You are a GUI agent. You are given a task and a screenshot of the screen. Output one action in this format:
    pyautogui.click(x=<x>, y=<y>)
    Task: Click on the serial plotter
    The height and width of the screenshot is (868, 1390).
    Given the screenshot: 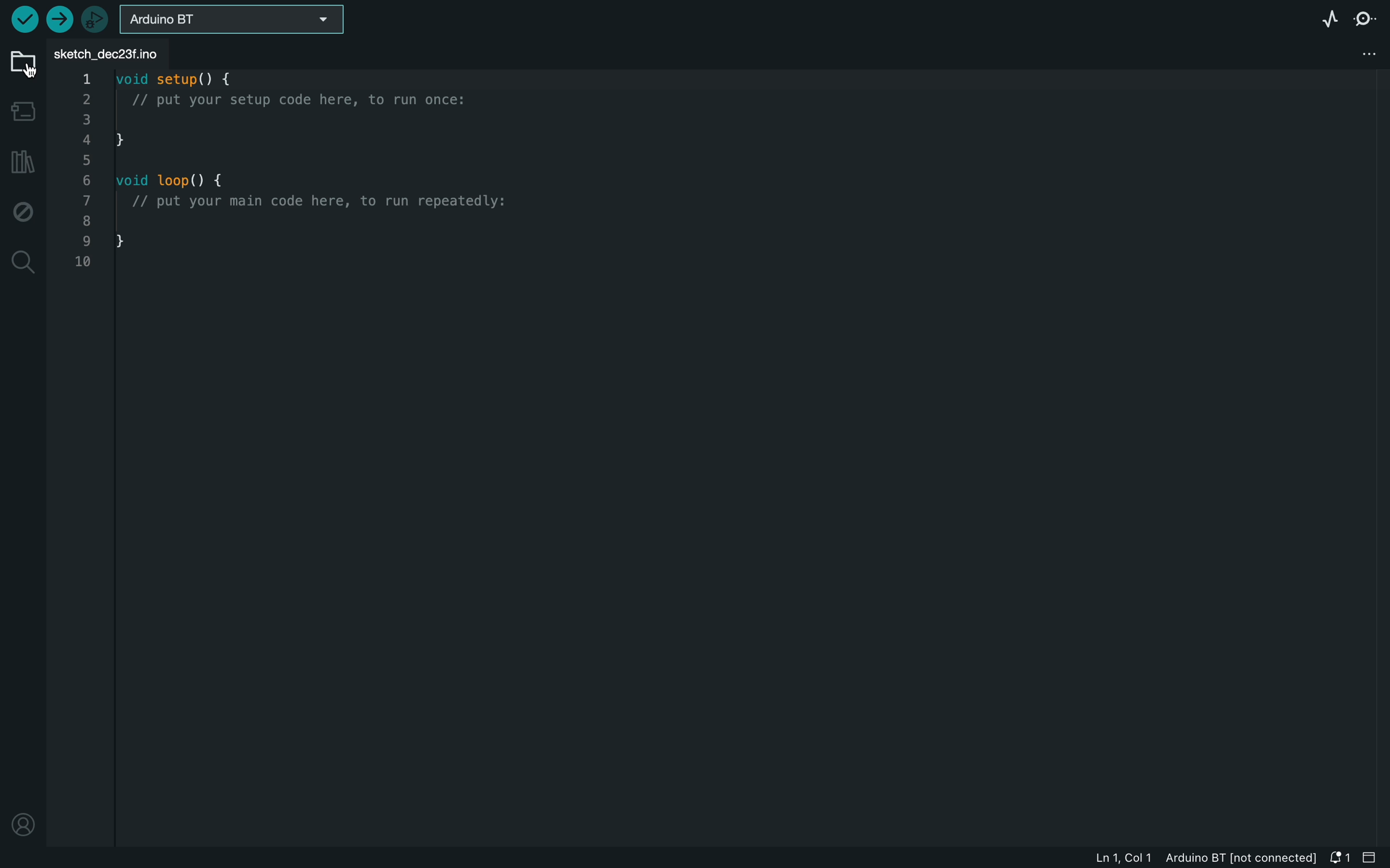 What is the action you would take?
    pyautogui.click(x=1326, y=16)
    